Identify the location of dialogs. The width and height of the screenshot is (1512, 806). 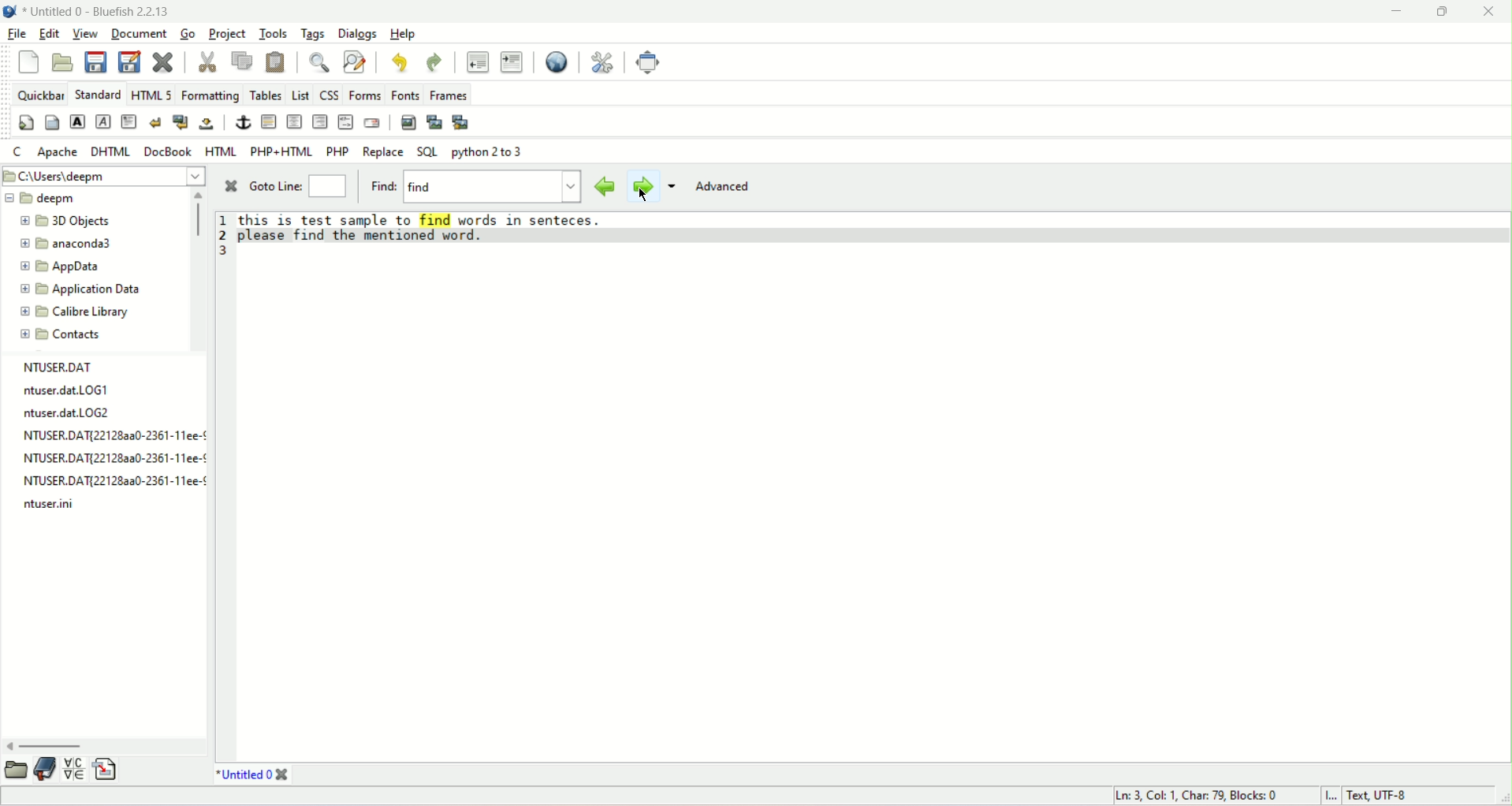
(358, 32).